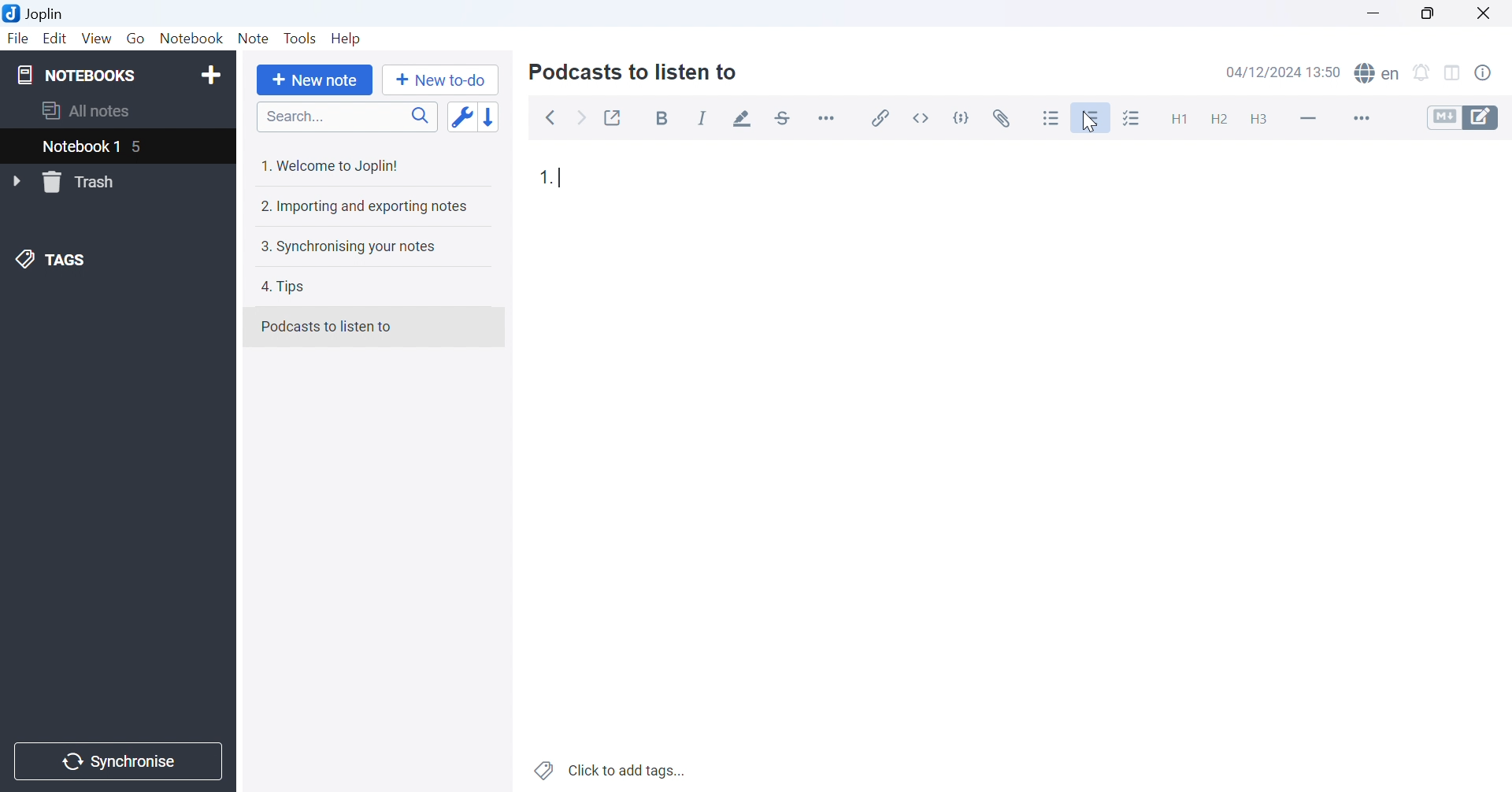 This screenshot has width=1512, height=792. I want to click on Heading 1, so click(1174, 116).